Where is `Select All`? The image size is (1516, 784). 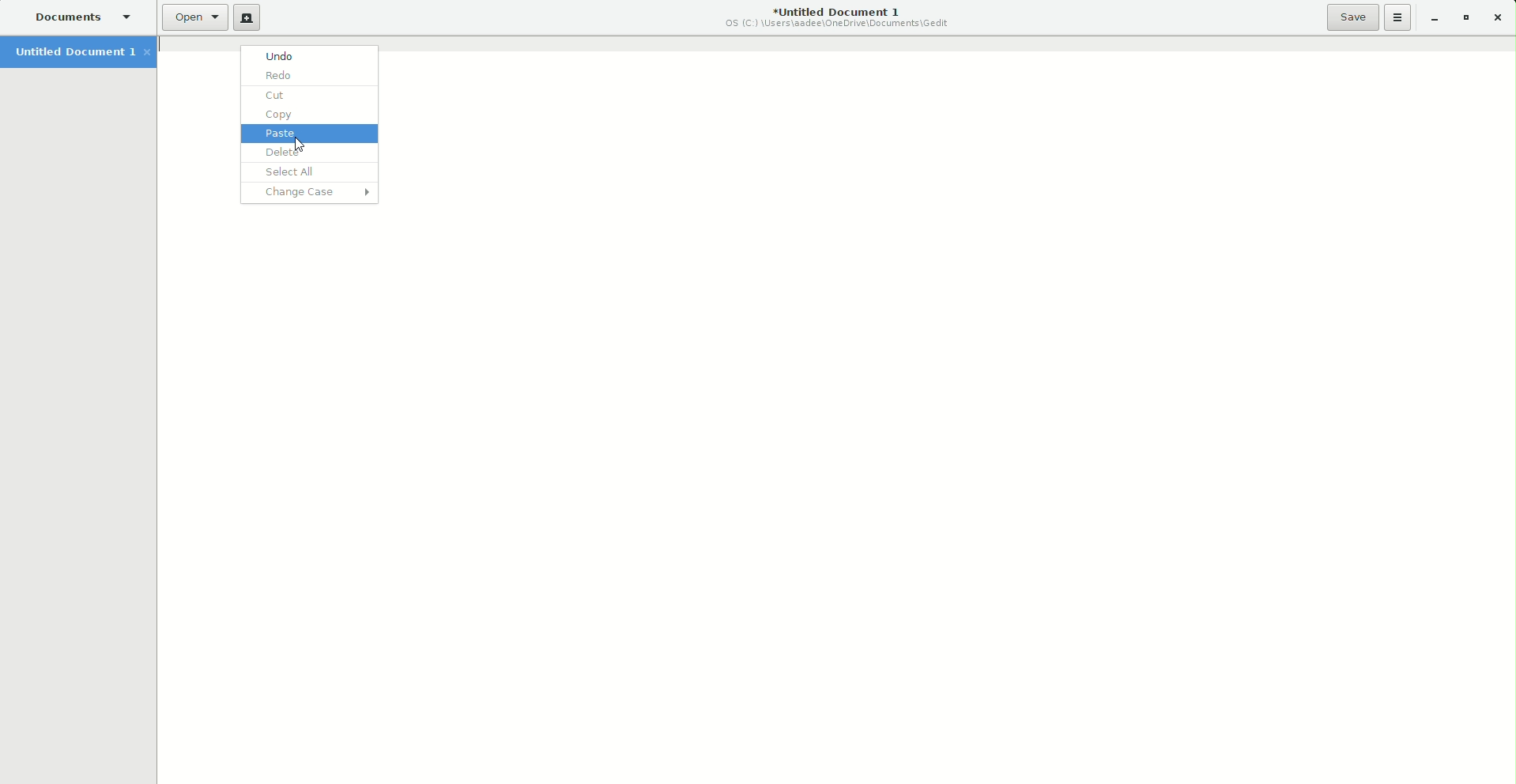 Select All is located at coordinates (304, 172).